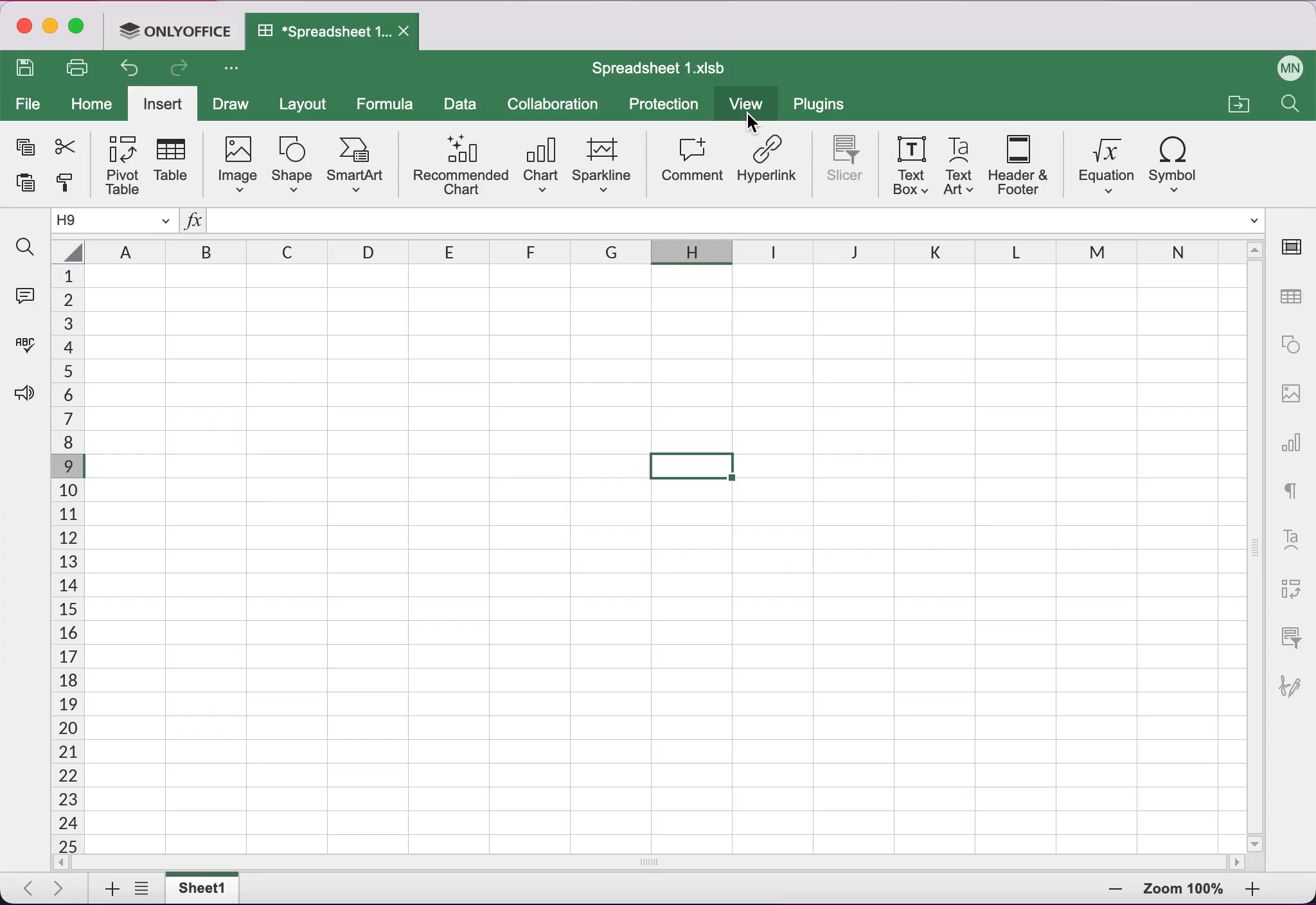 Image resolution: width=1316 pixels, height=905 pixels. I want to click on zoom out, so click(1265, 892).